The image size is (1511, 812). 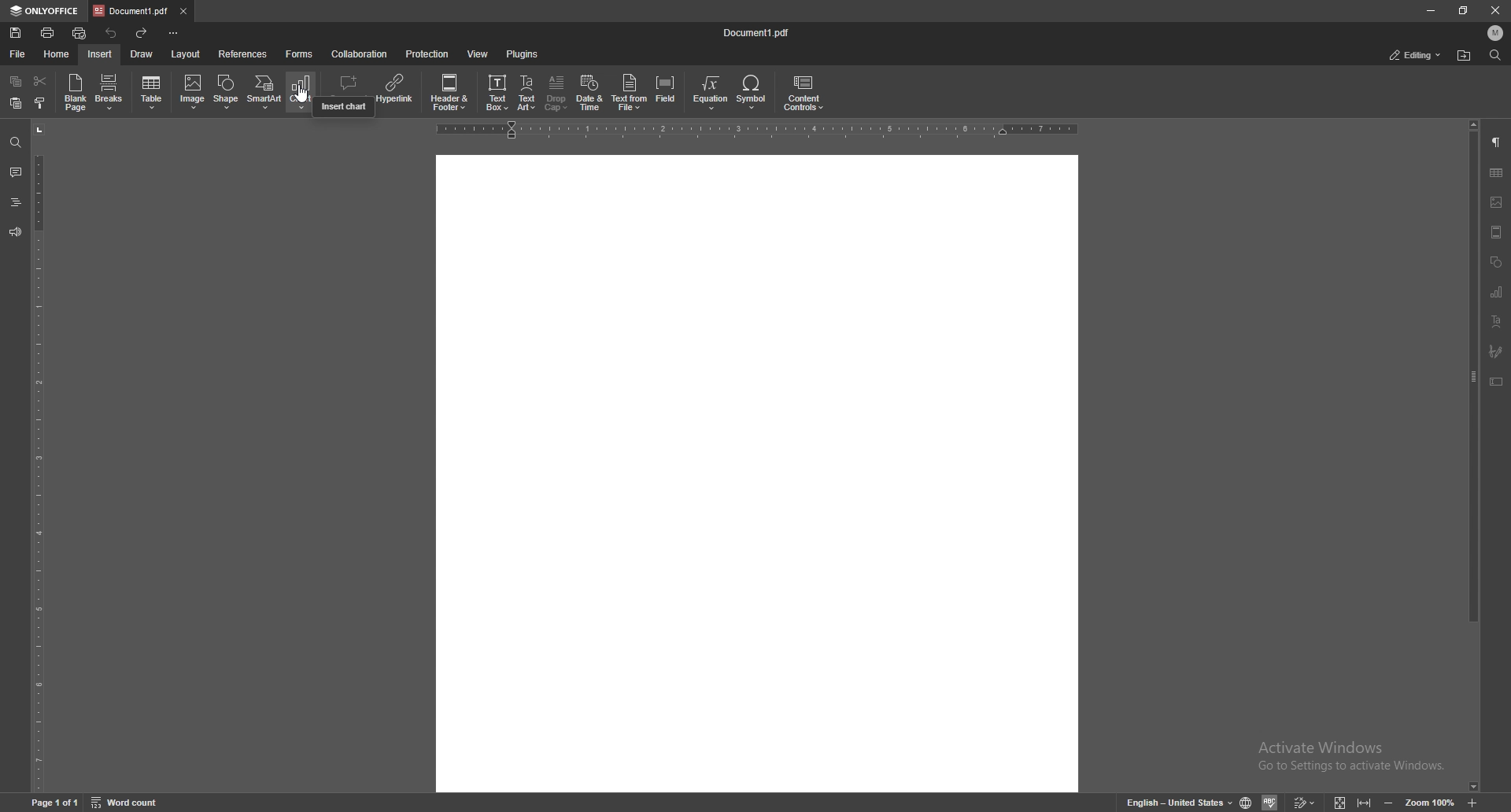 I want to click on Breaks, so click(x=112, y=94).